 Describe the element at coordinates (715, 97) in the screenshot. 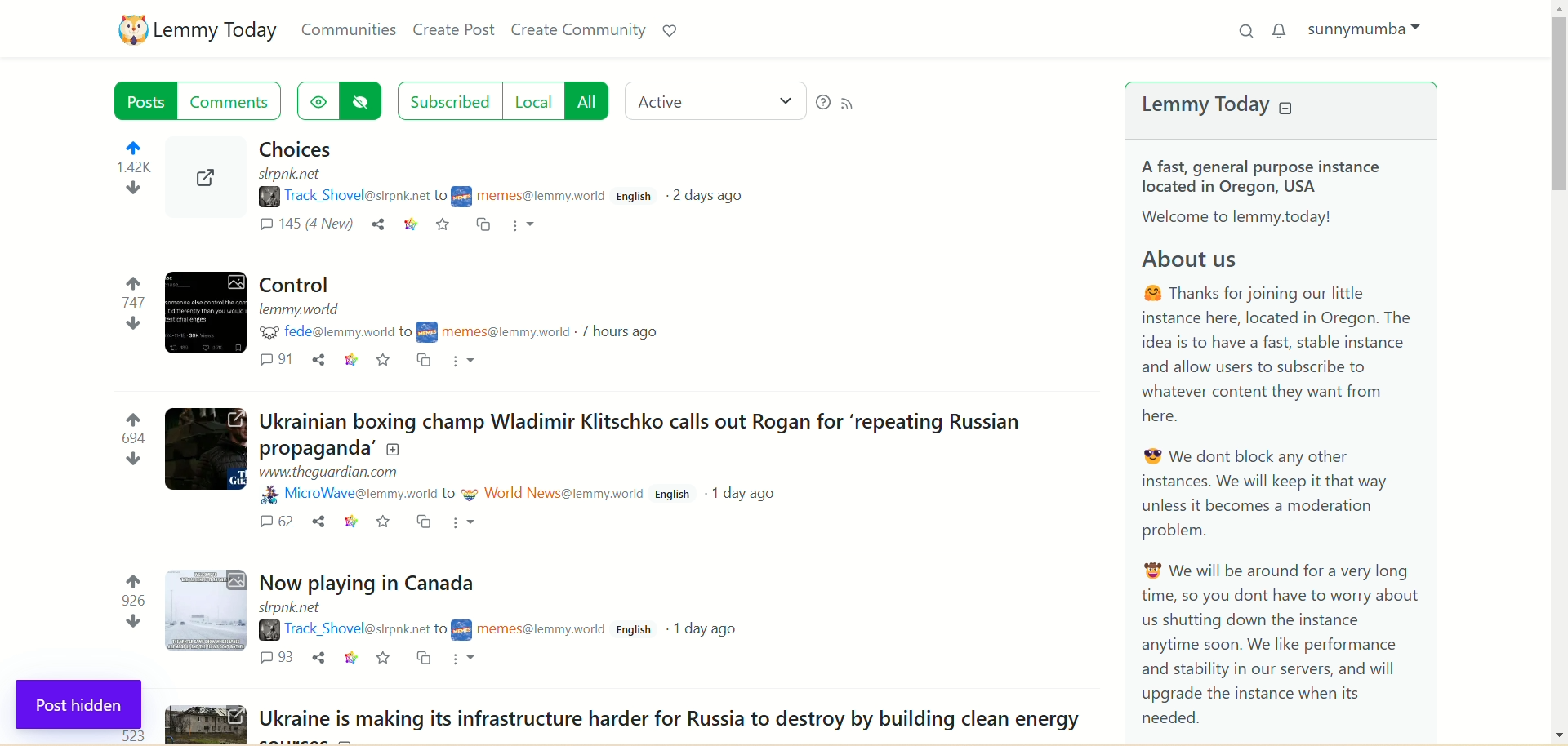

I see `active` at that location.